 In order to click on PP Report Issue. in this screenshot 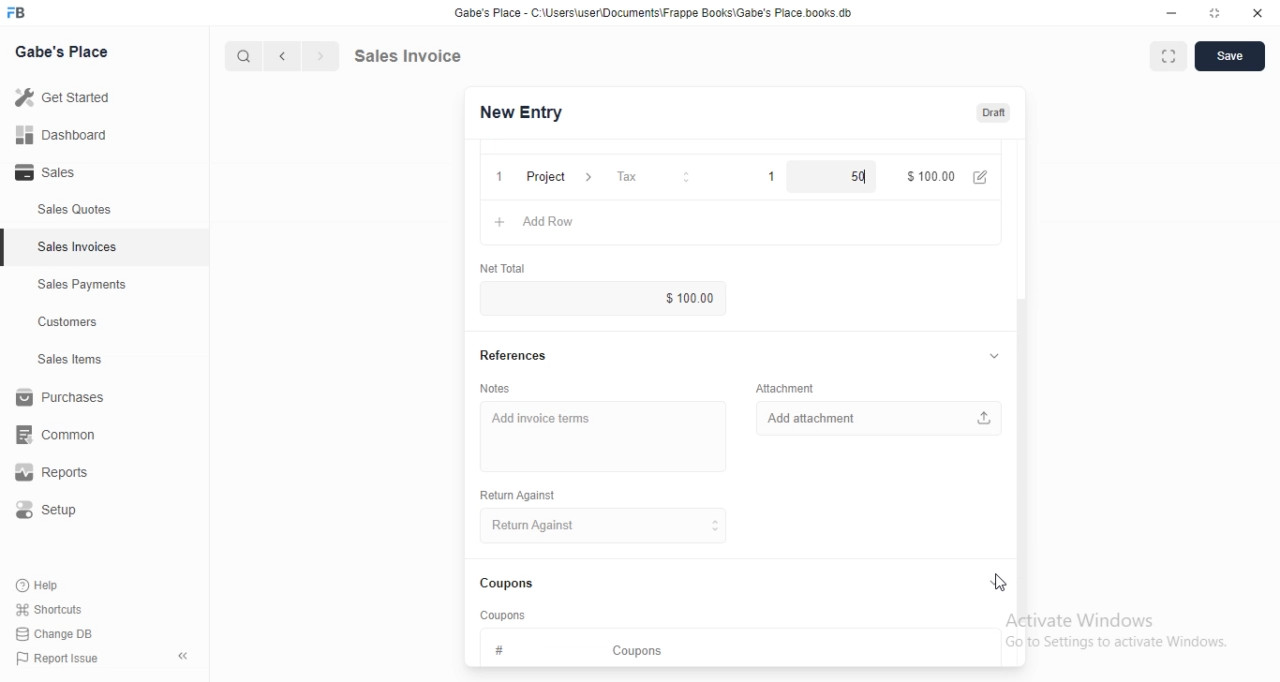, I will do `click(64, 662)`.